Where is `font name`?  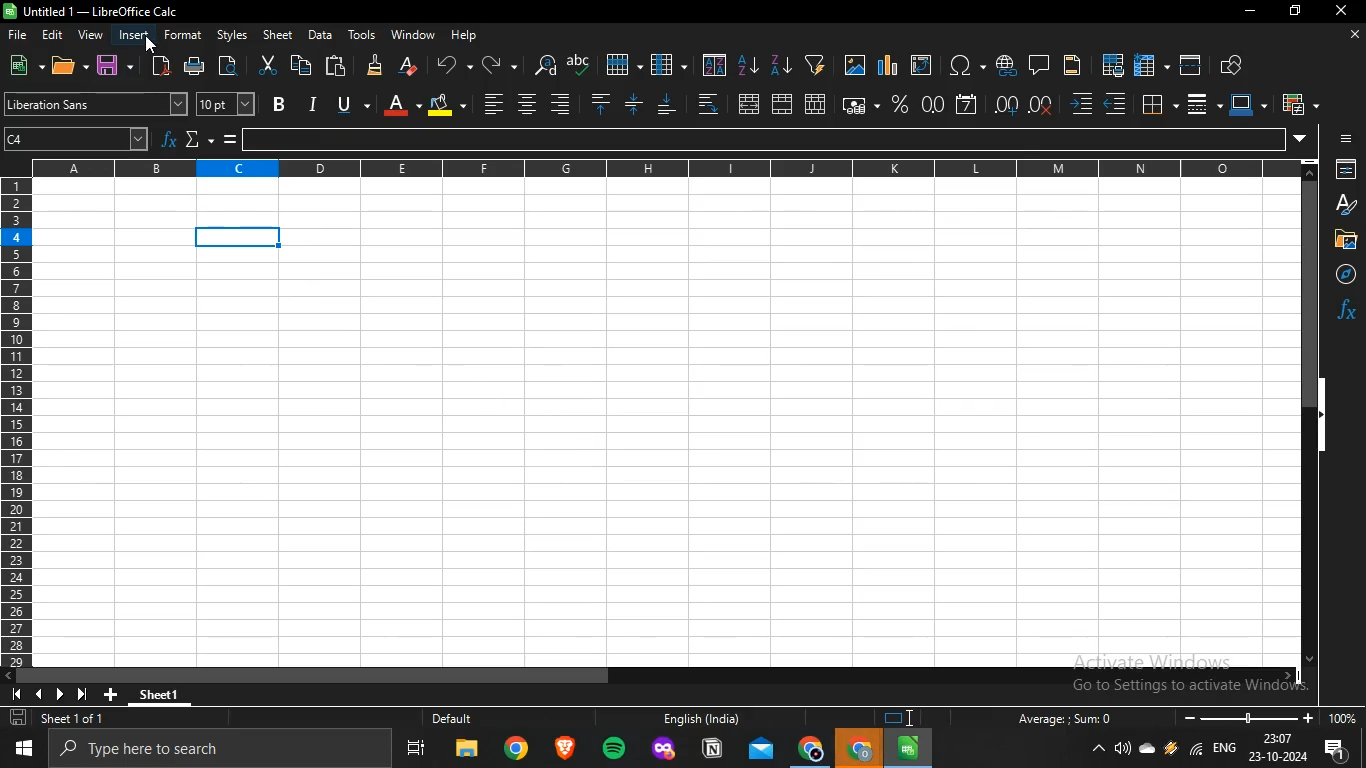
font name is located at coordinates (96, 105).